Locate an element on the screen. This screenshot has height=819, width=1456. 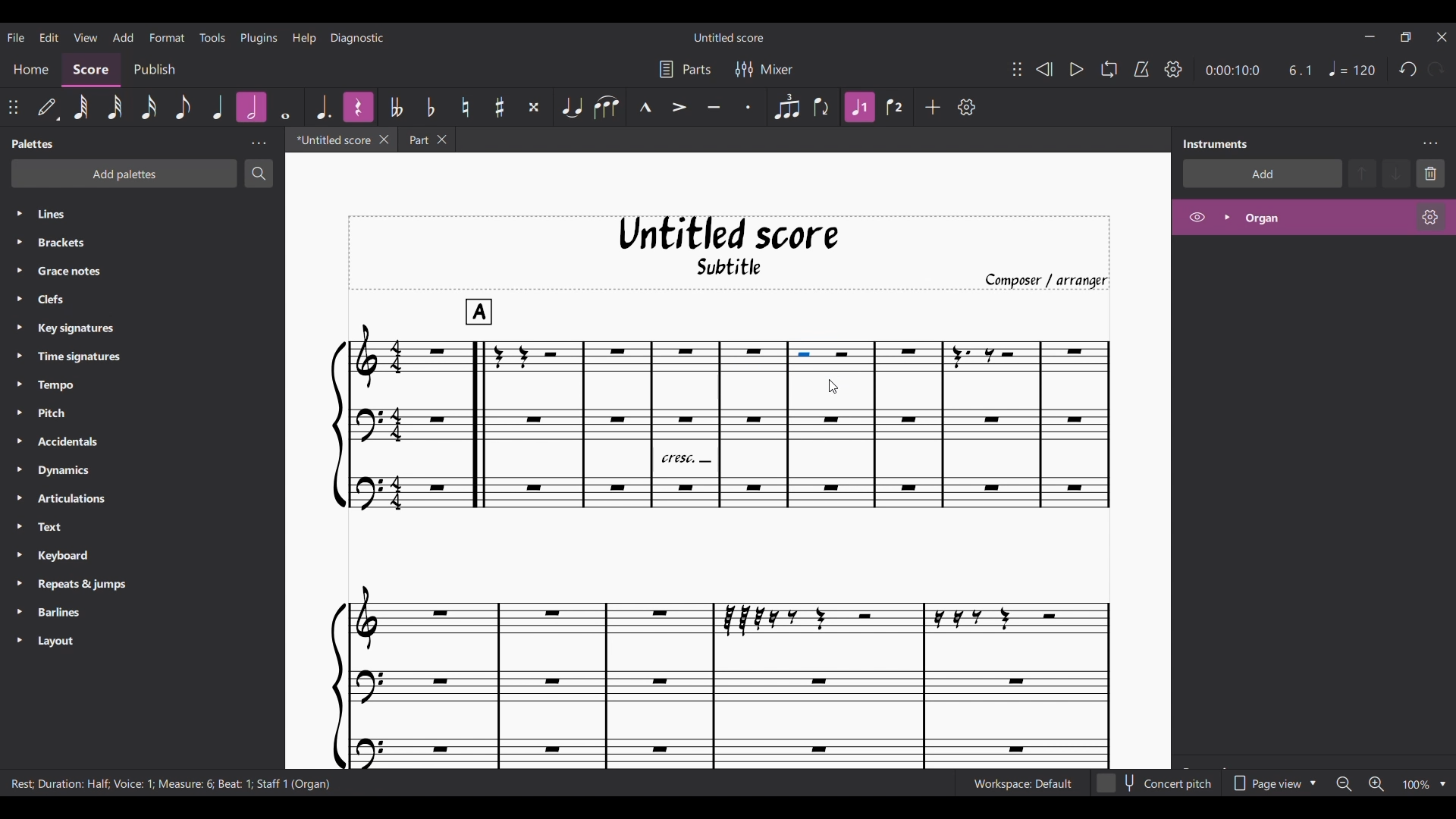
Delete selection is located at coordinates (1431, 174).